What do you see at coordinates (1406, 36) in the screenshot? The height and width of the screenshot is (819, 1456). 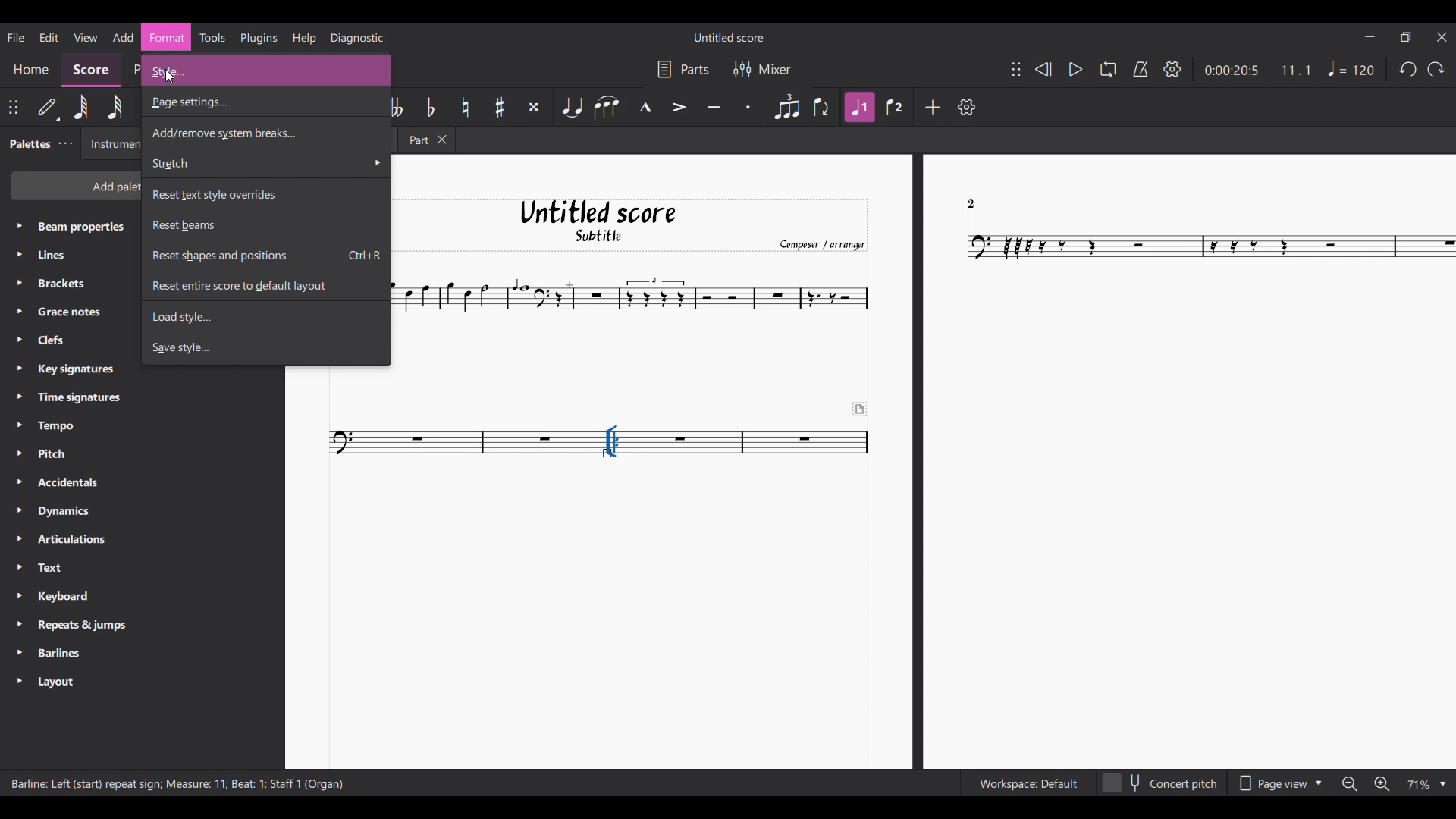 I see `Show in smaller tab` at bounding box center [1406, 36].